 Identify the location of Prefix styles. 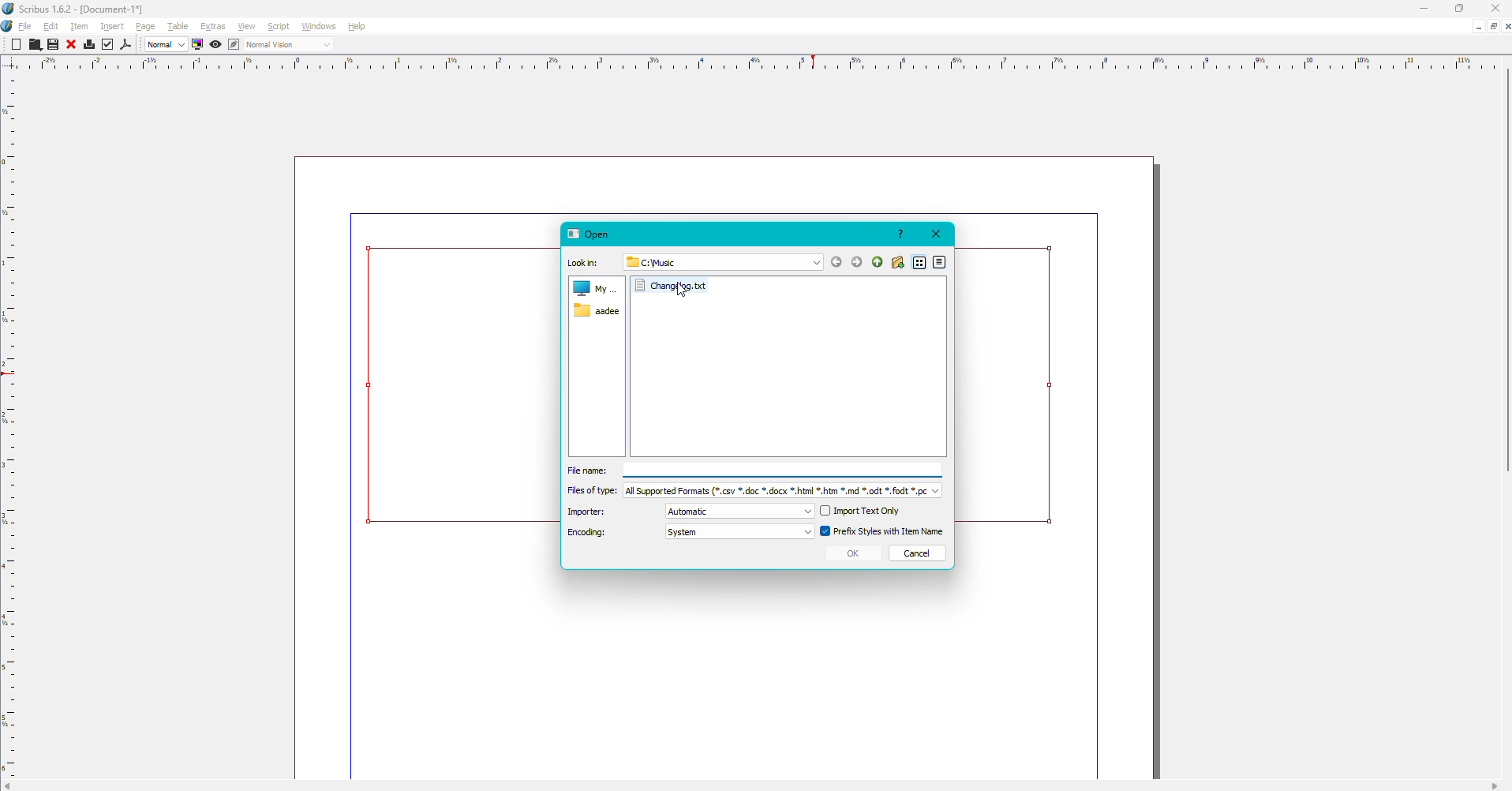
(884, 530).